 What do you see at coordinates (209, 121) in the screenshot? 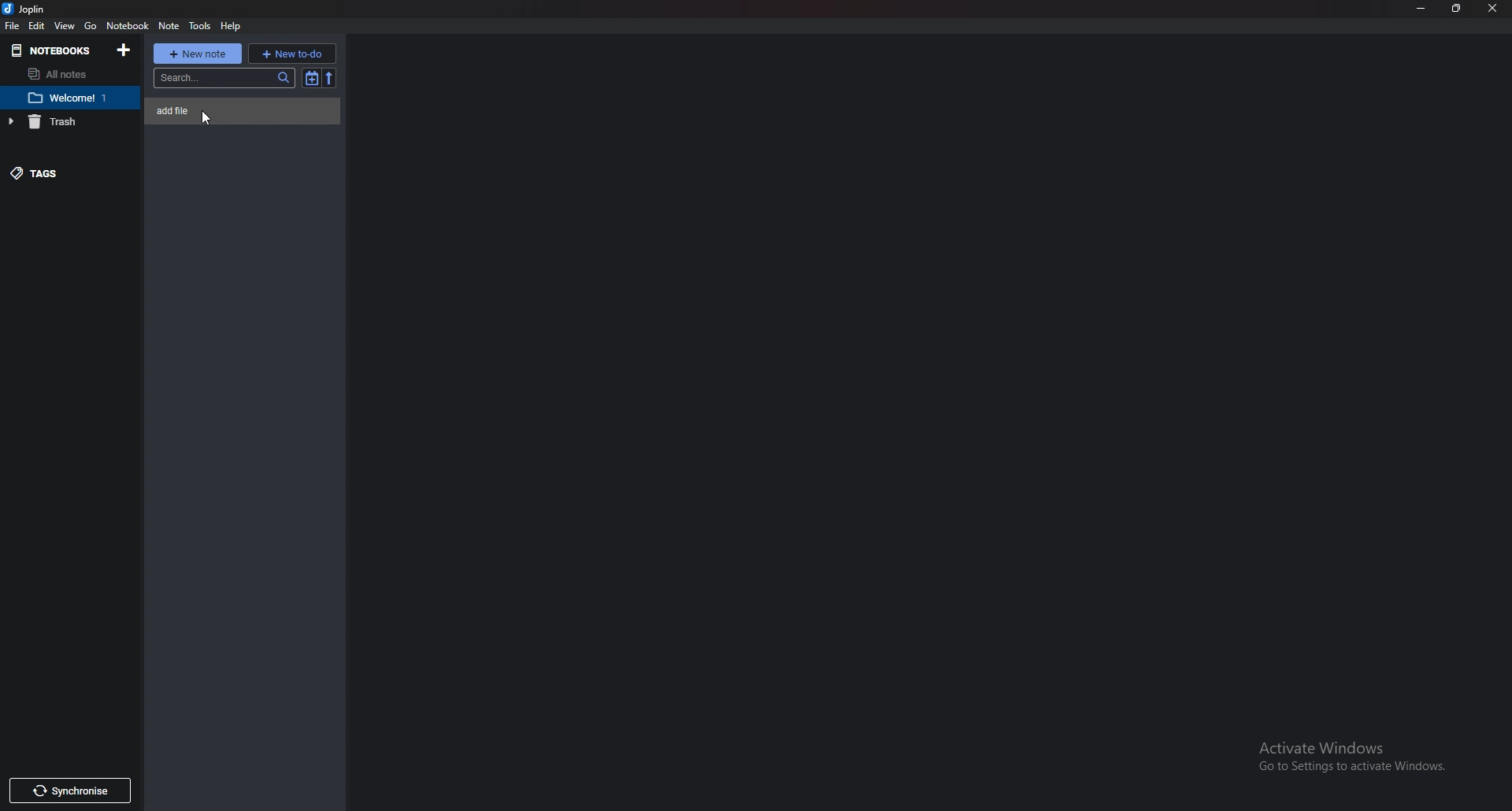
I see `cursor` at bounding box center [209, 121].